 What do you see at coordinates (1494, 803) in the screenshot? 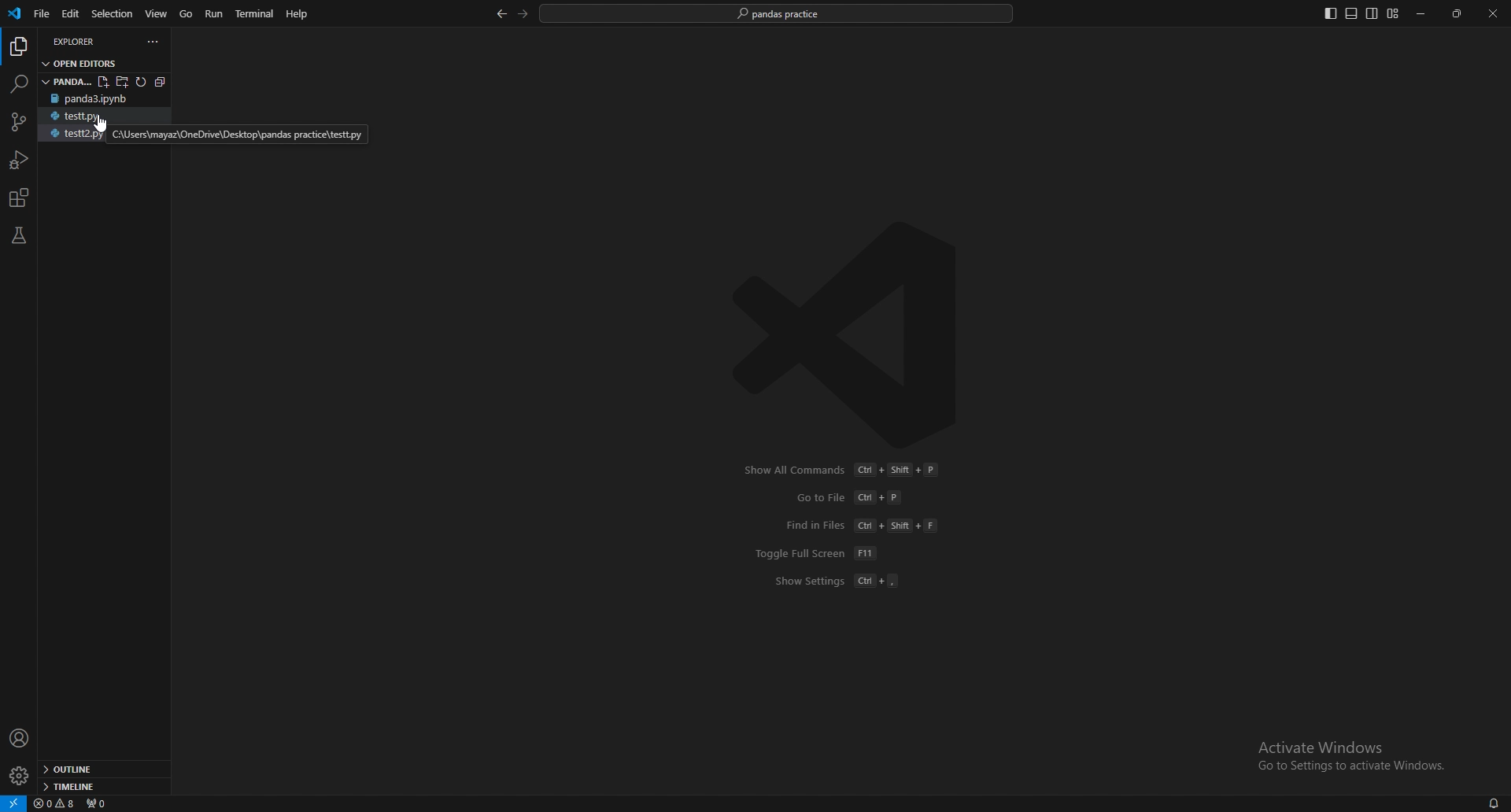
I see `alarms` at bounding box center [1494, 803].